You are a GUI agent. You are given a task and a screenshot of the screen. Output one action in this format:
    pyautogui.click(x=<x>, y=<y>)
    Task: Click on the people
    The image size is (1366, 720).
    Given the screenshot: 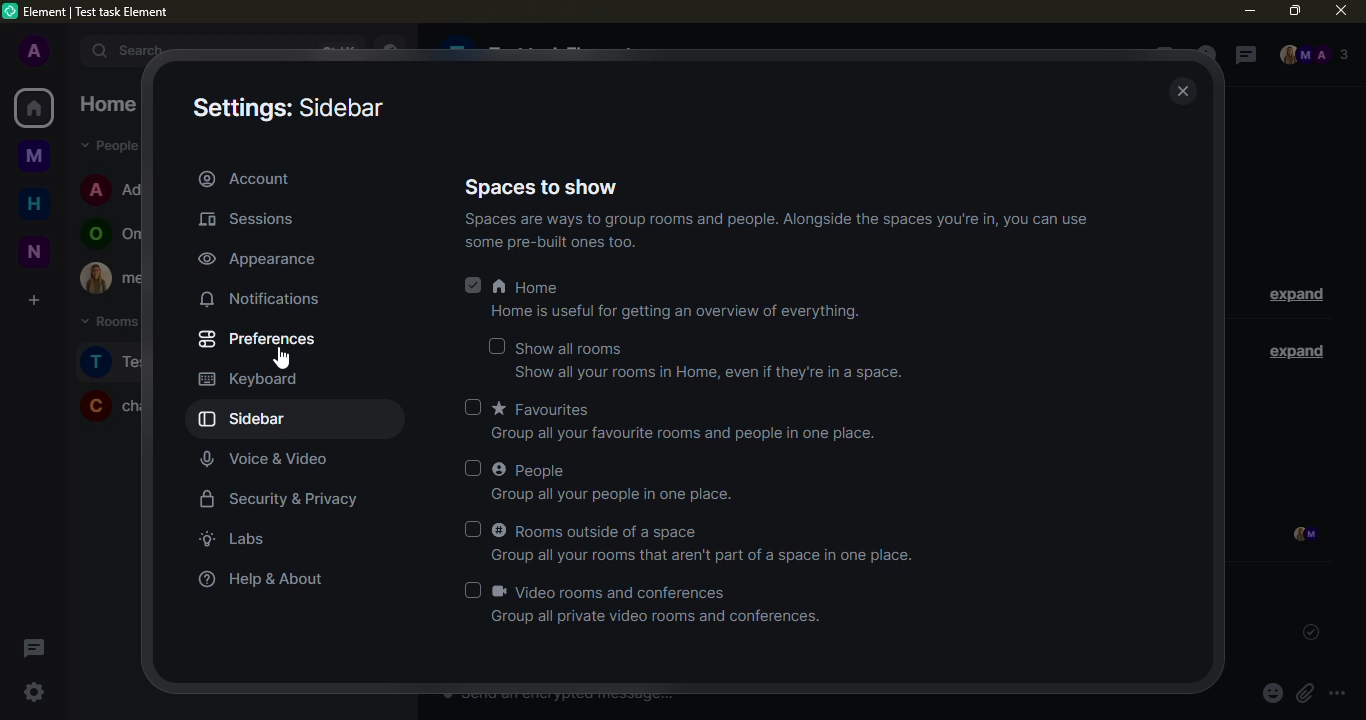 What is the action you would take?
    pyautogui.click(x=1313, y=56)
    